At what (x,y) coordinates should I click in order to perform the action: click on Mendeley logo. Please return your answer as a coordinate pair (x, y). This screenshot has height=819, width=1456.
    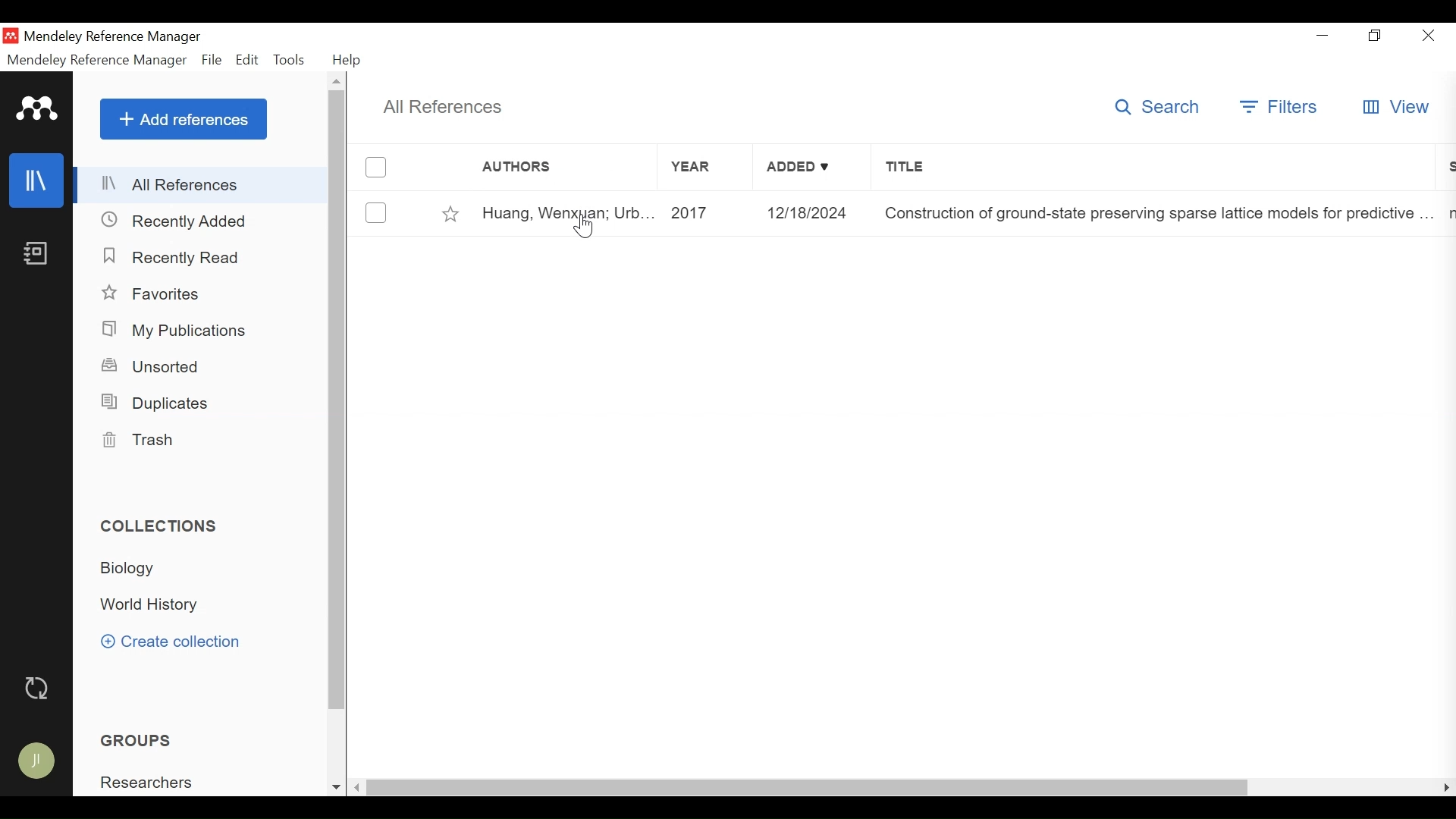
    Looking at the image, I should click on (37, 109).